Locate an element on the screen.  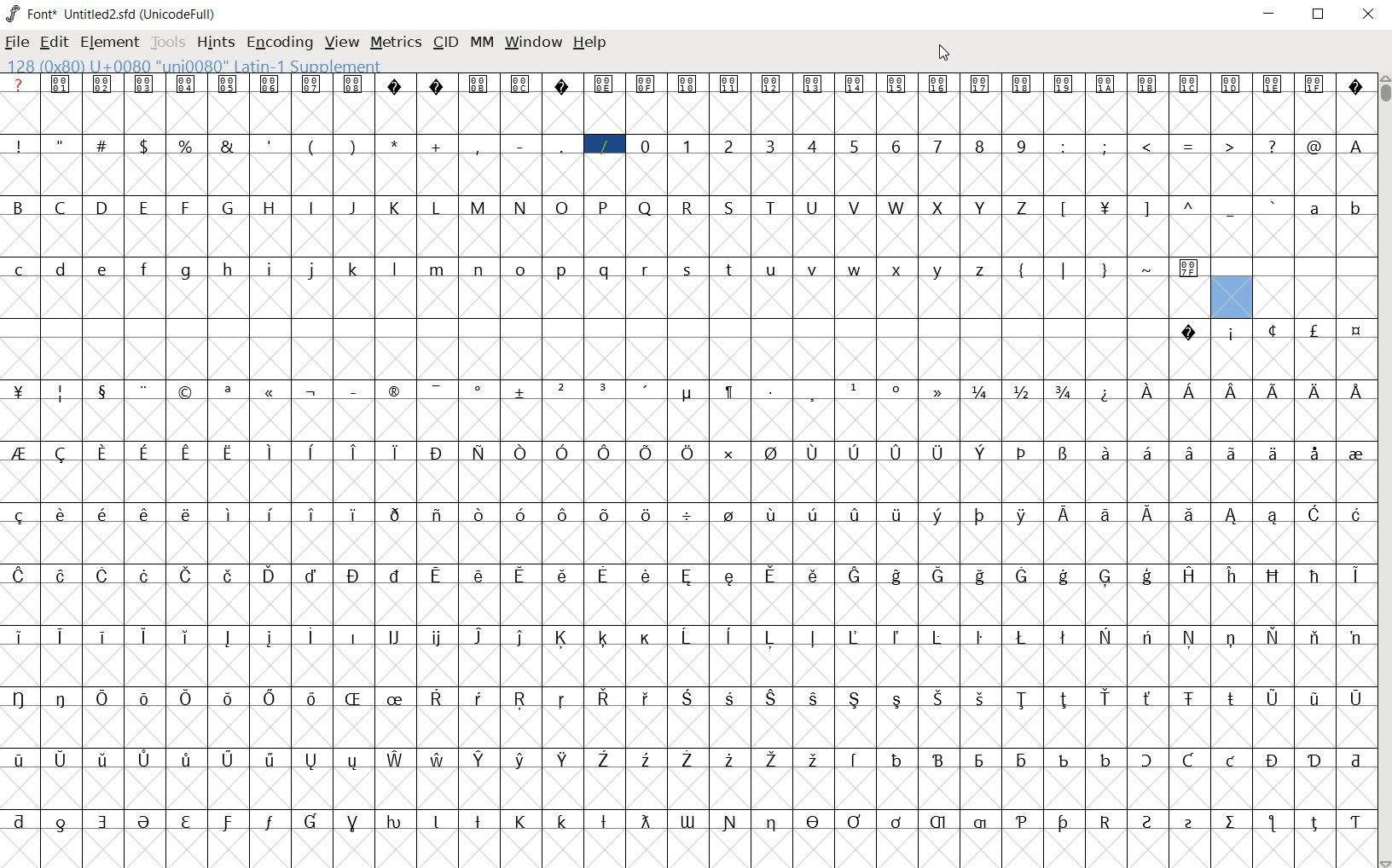
glyph is located at coordinates (812, 208).